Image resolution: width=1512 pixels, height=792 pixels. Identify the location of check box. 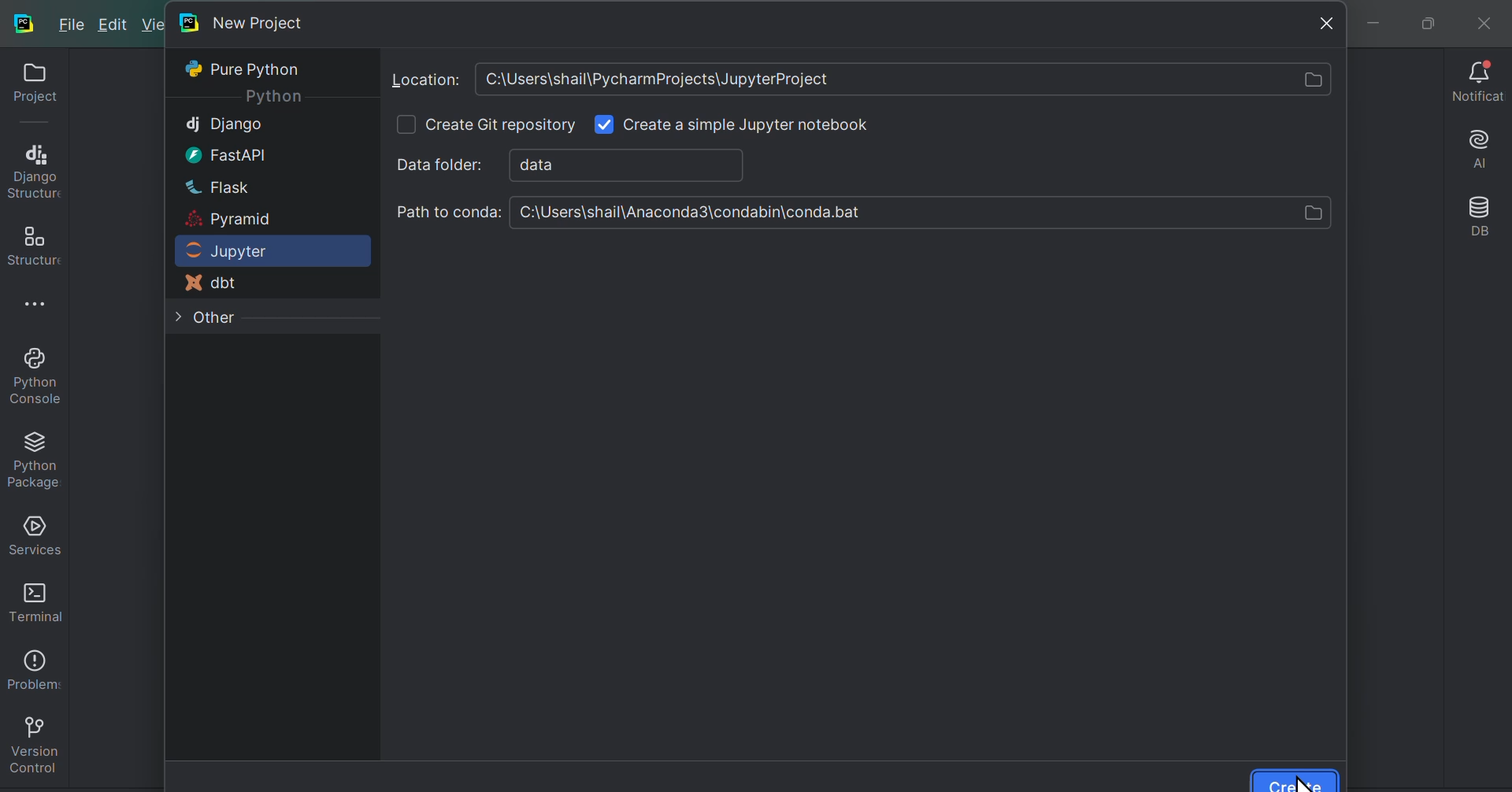
(602, 124).